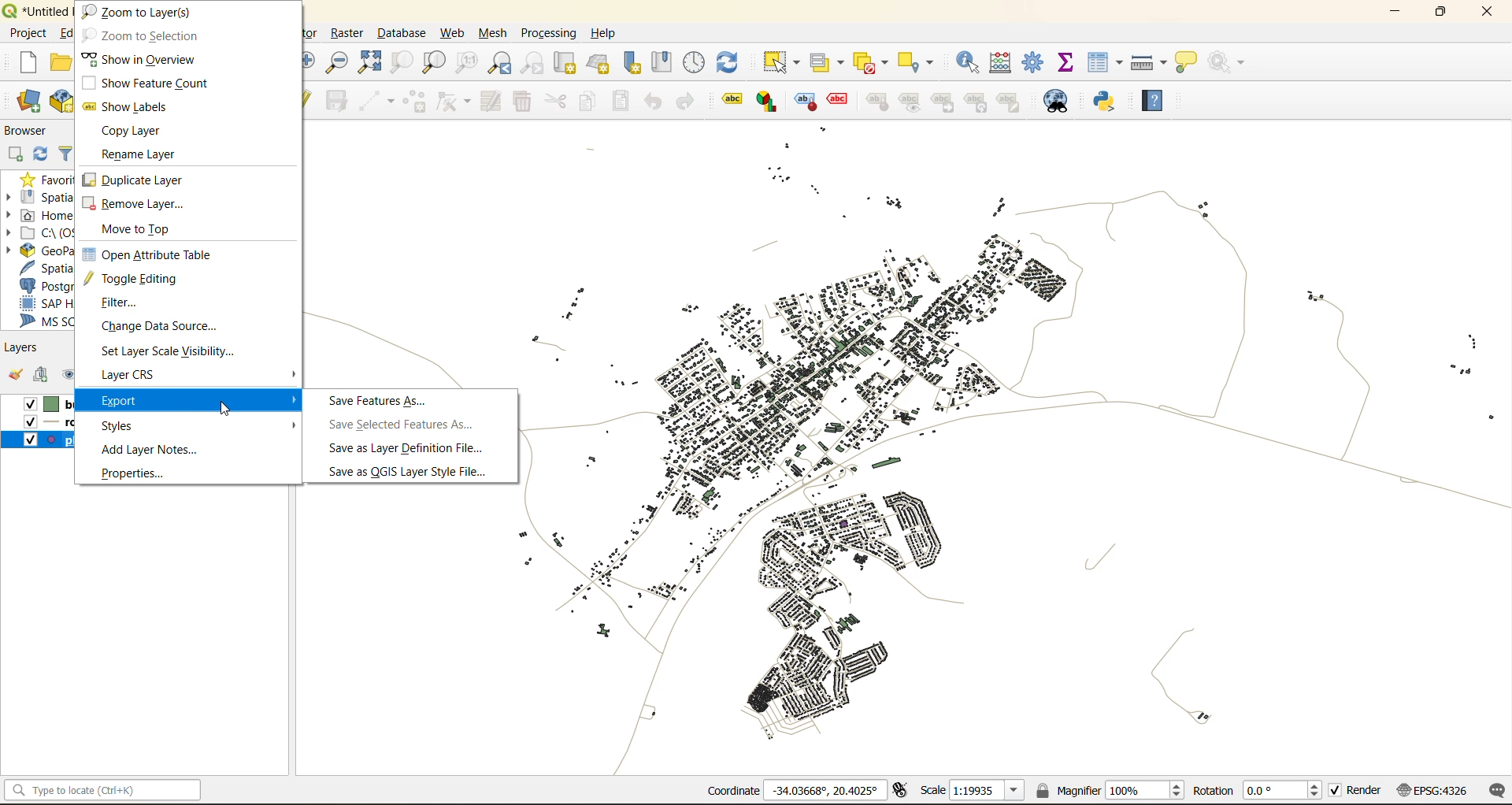 Image resolution: width=1512 pixels, height=805 pixels. Describe the element at coordinates (1432, 792) in the screenshot. I see `crs` at that location.